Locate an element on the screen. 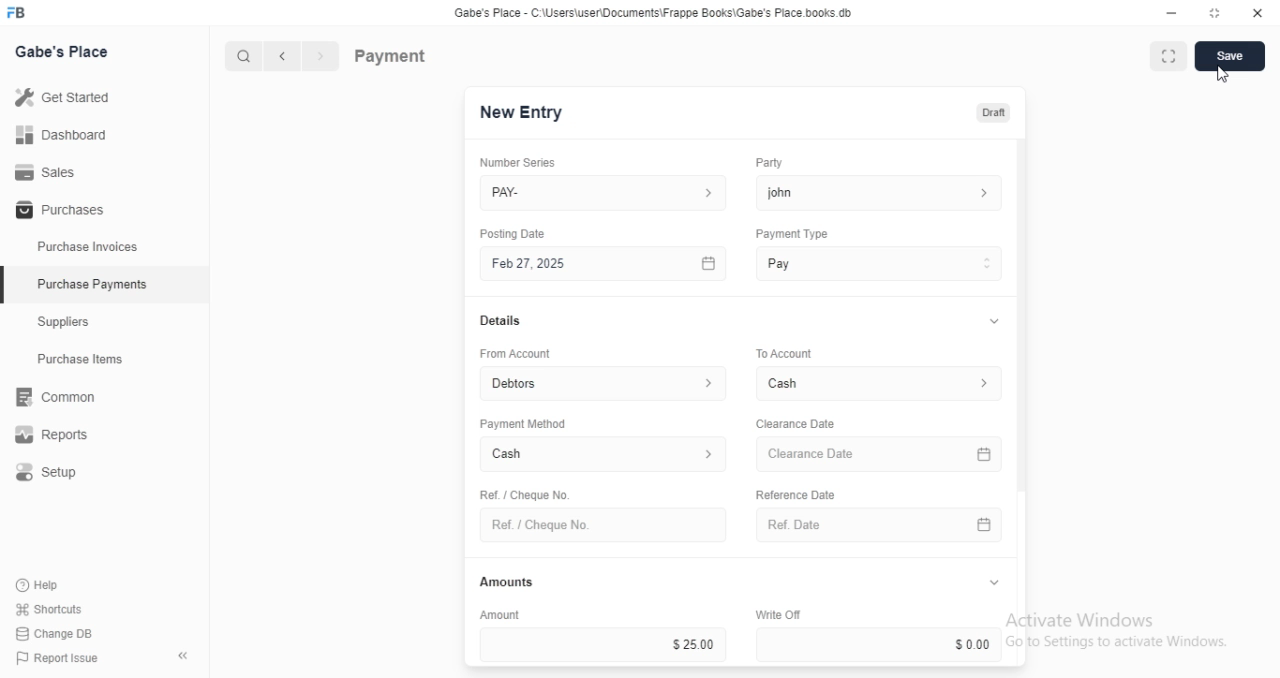 The height and width of the screenshot is (678, 1280). collapse sidebar is located at coordinates (182, 655).